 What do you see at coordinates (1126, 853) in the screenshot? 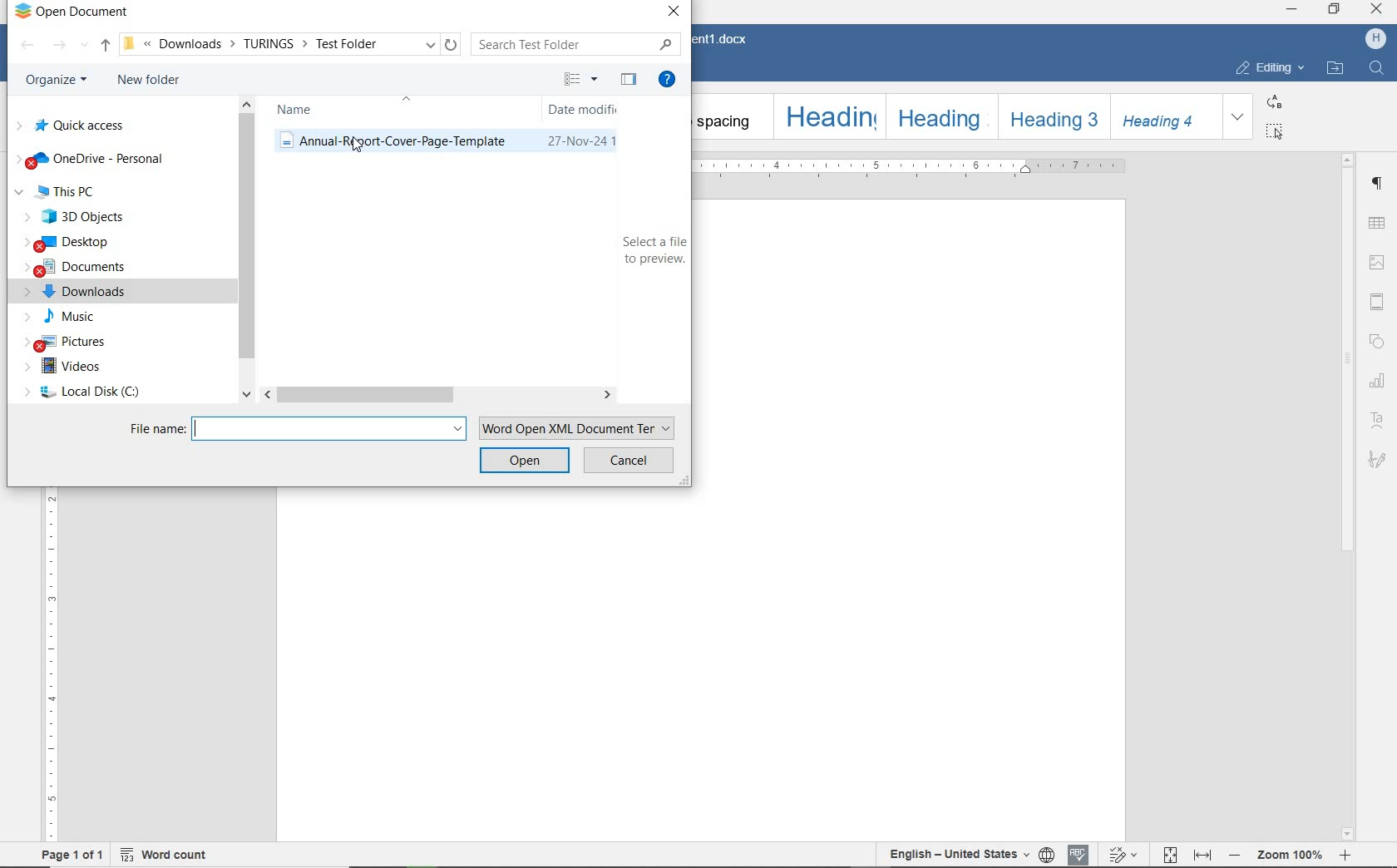
I see `track changes` at bounding box center [1126, 853].